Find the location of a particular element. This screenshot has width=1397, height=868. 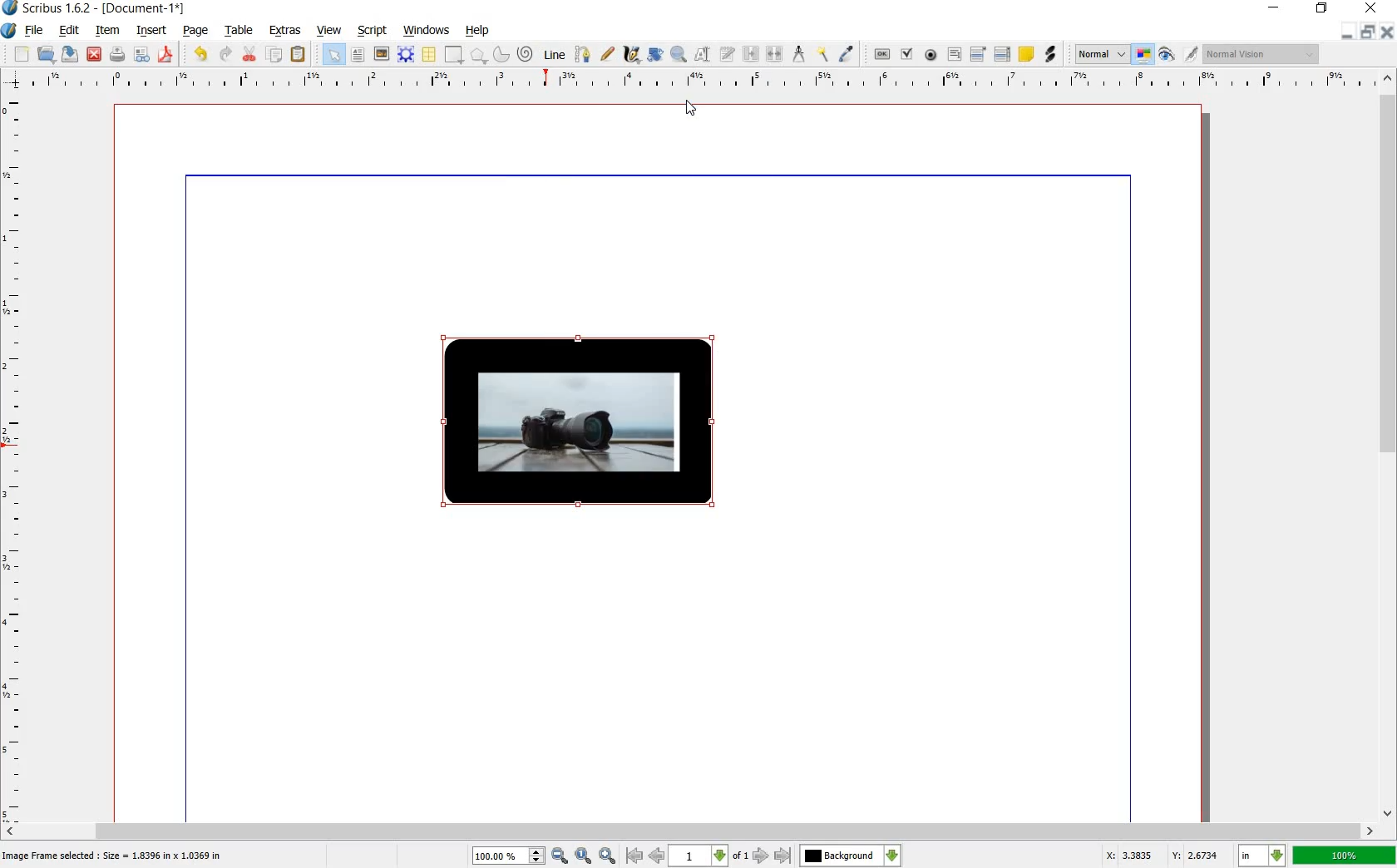

calligraphic line is located at coordinates (631, 55).